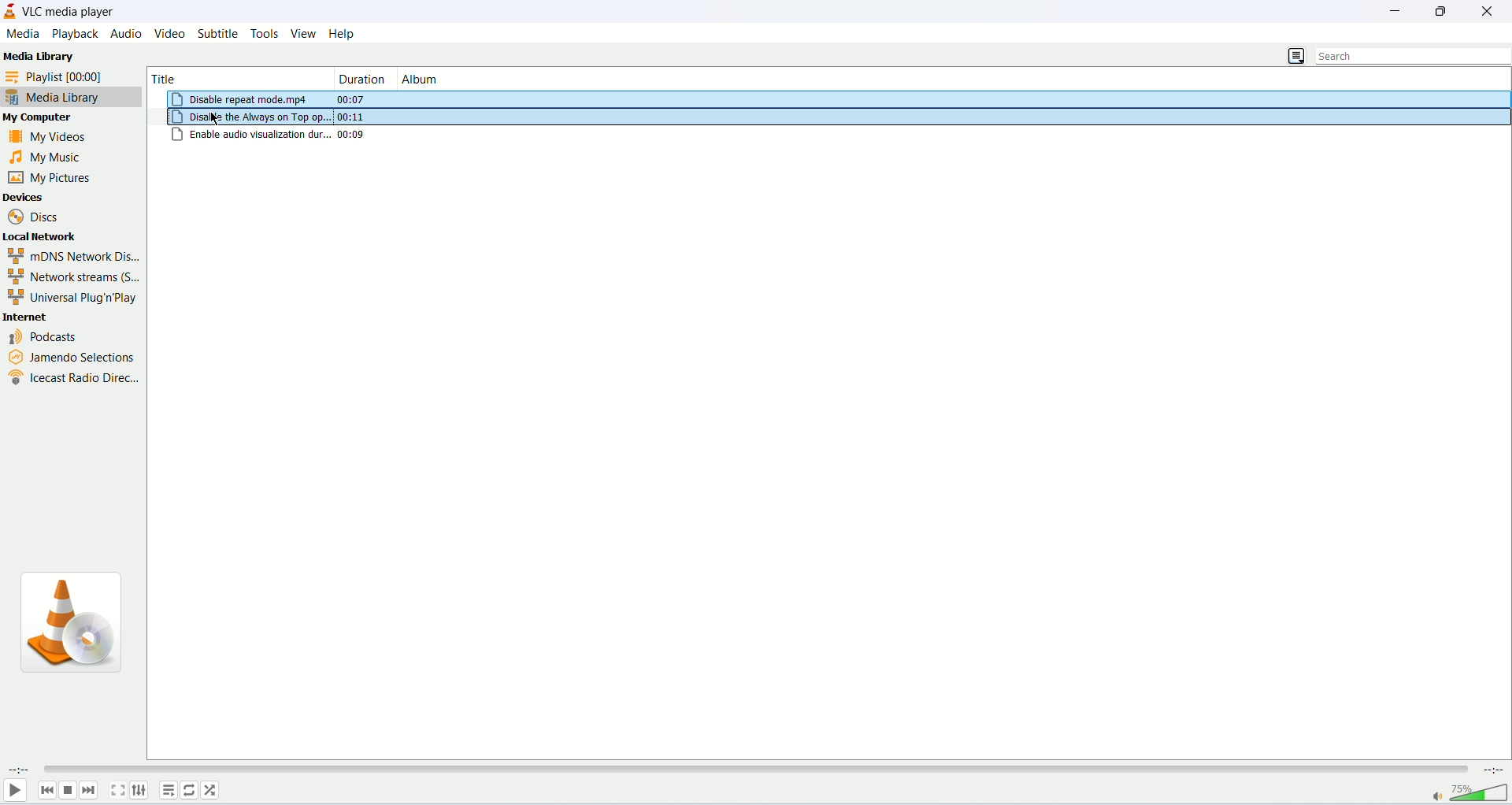 The width and height of the screenshot is (1512, 805). Describe the element at coordinates (1436, 798) in the screenshot. I see `mute` at that location.